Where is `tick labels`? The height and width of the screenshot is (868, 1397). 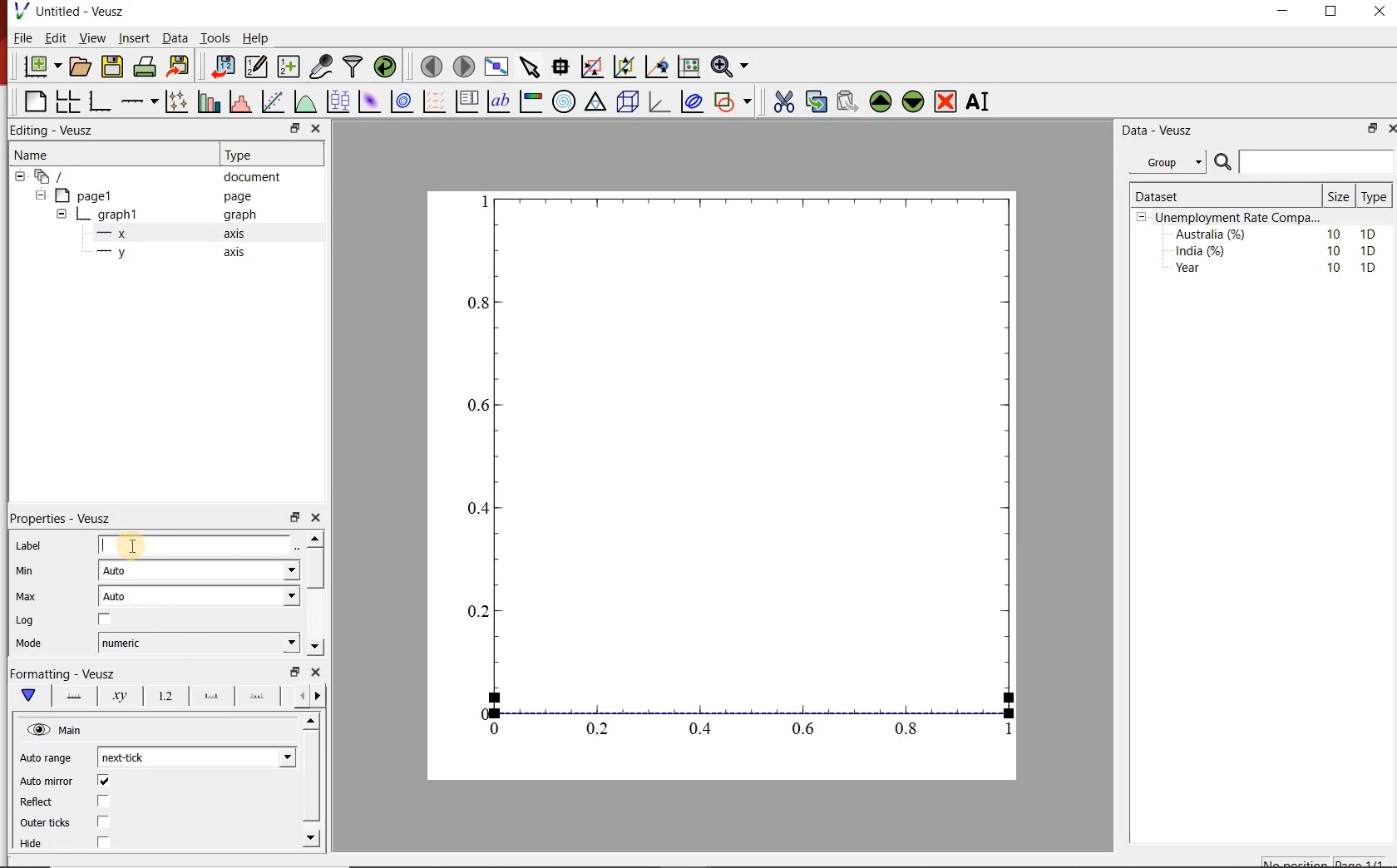
tick labels is located at coordinates (166, 697).